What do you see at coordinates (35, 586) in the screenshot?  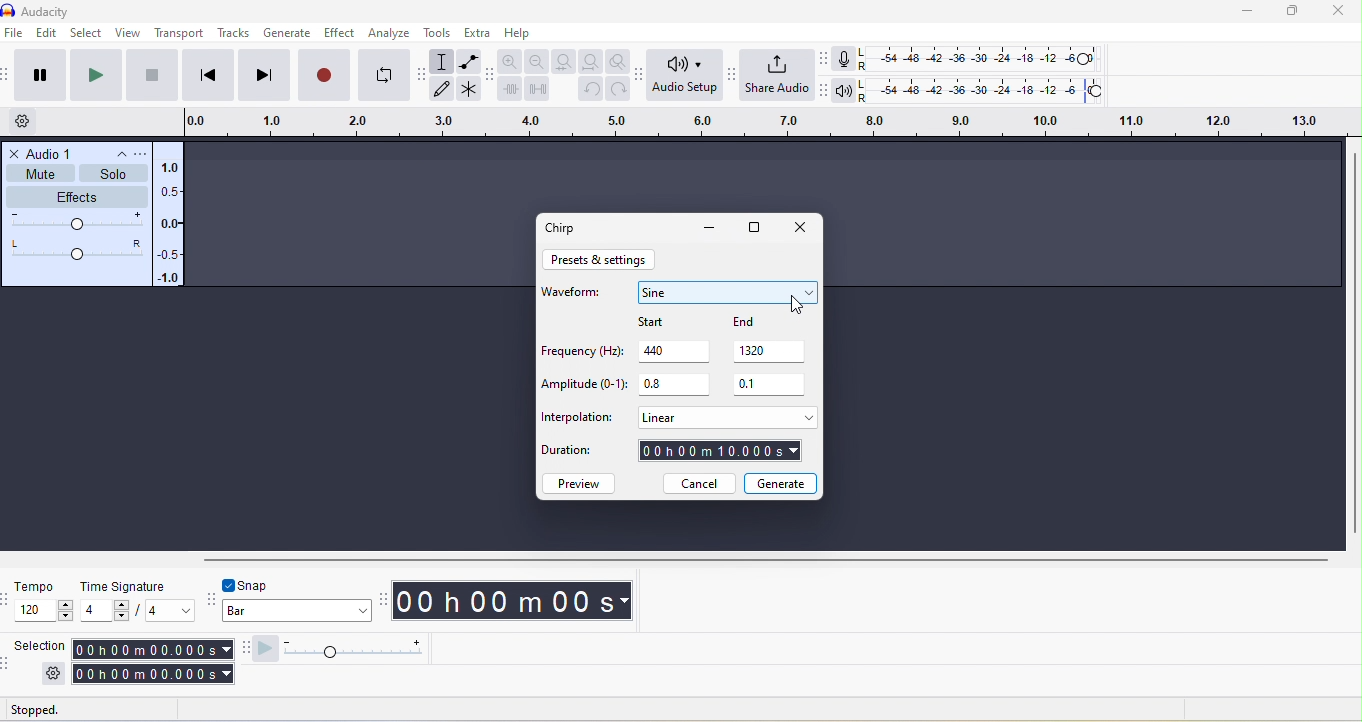 I see `tempo` at bounding box center [35, 586].